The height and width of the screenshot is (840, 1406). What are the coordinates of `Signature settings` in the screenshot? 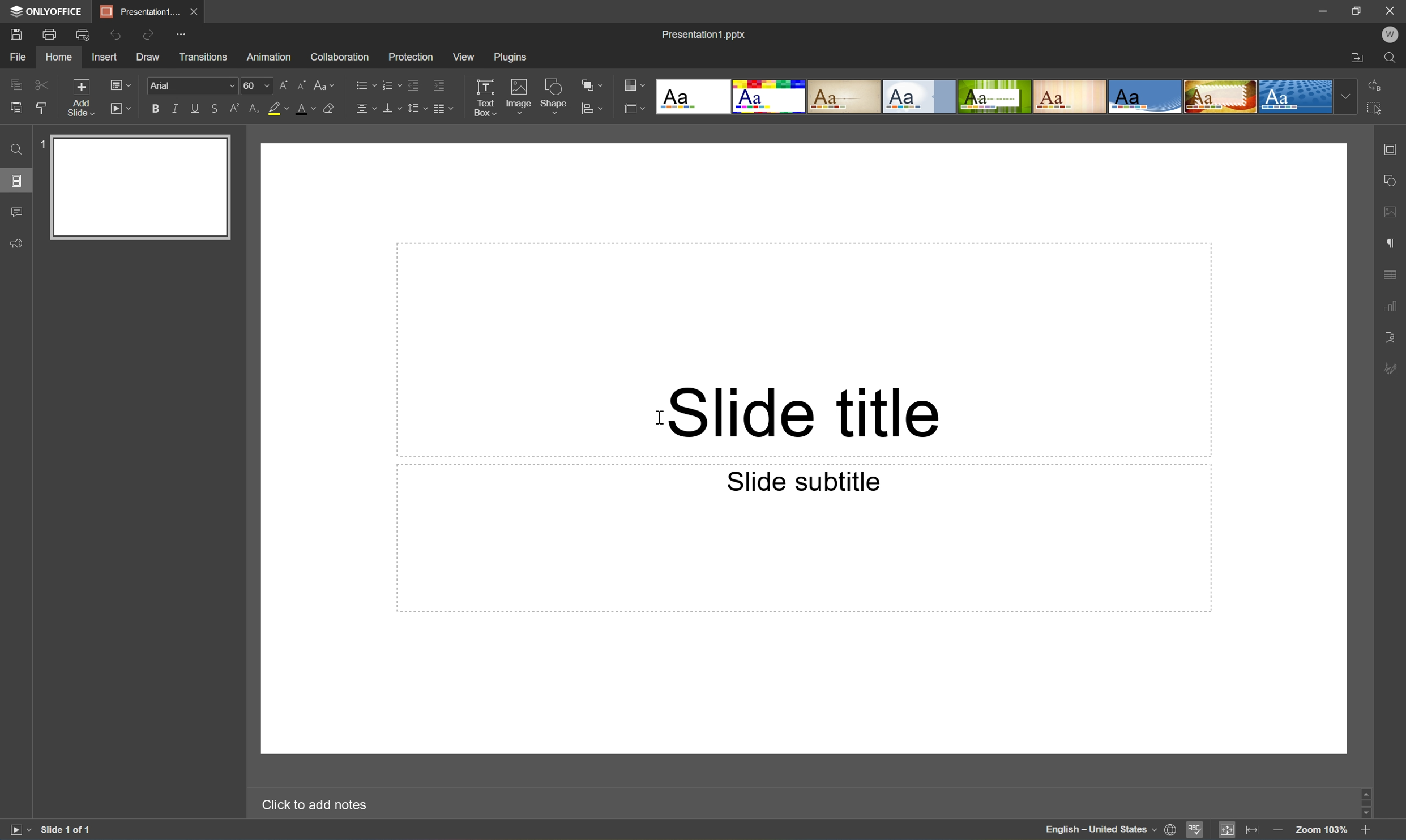 It's located at (1392, 368).